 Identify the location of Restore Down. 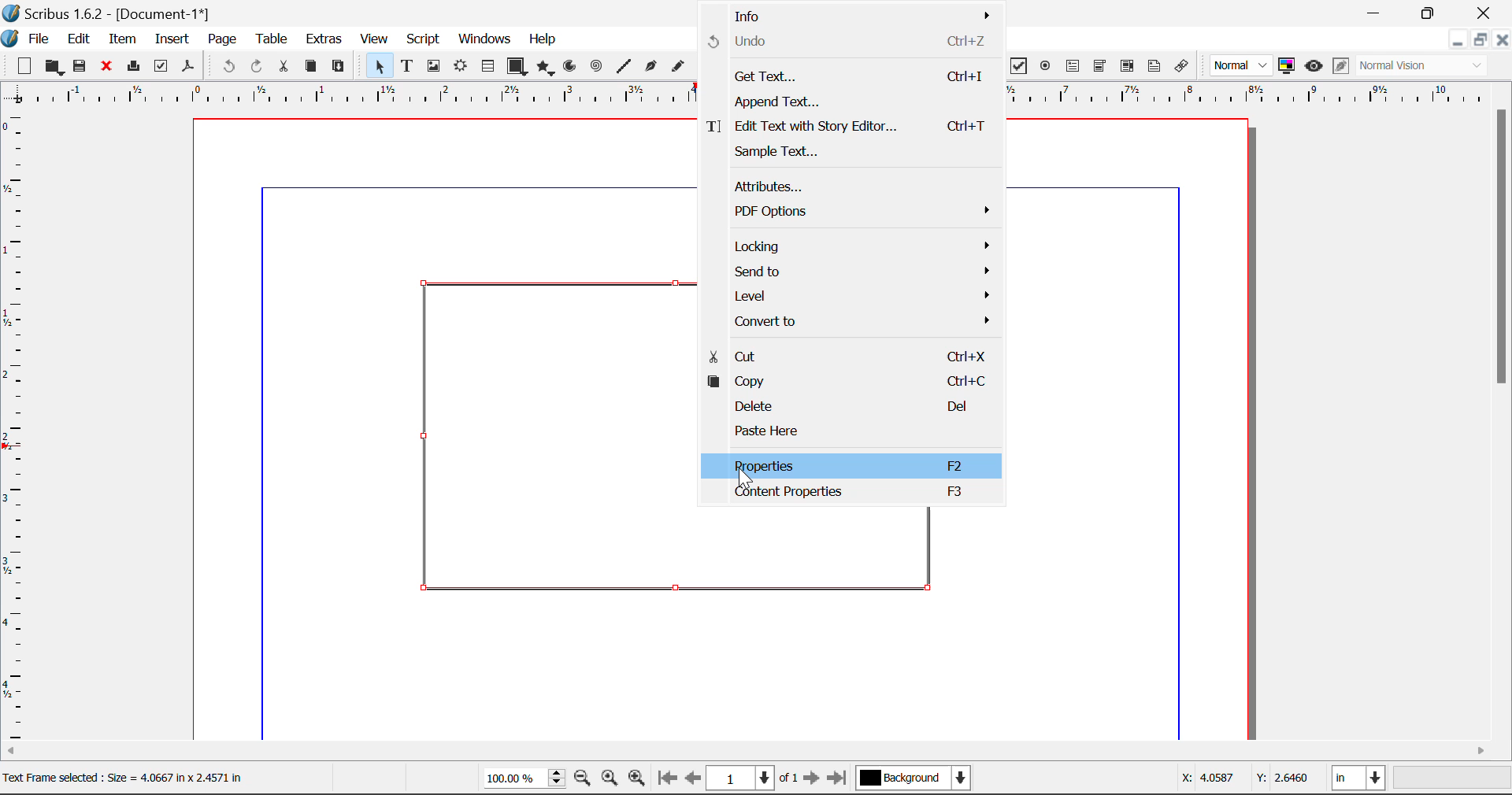
(1457, 39).